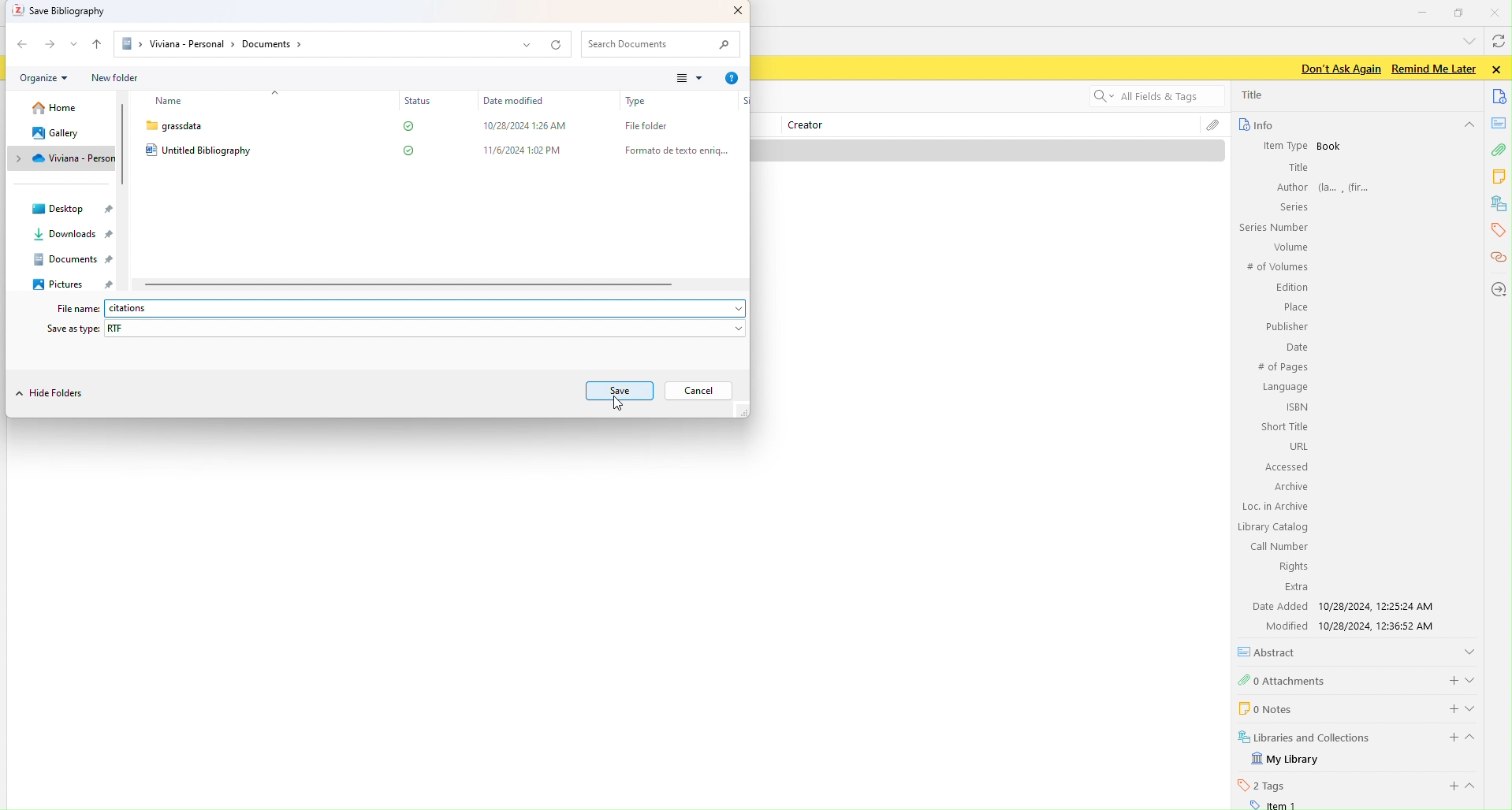  I want to click on Organize, so click(42, 77).